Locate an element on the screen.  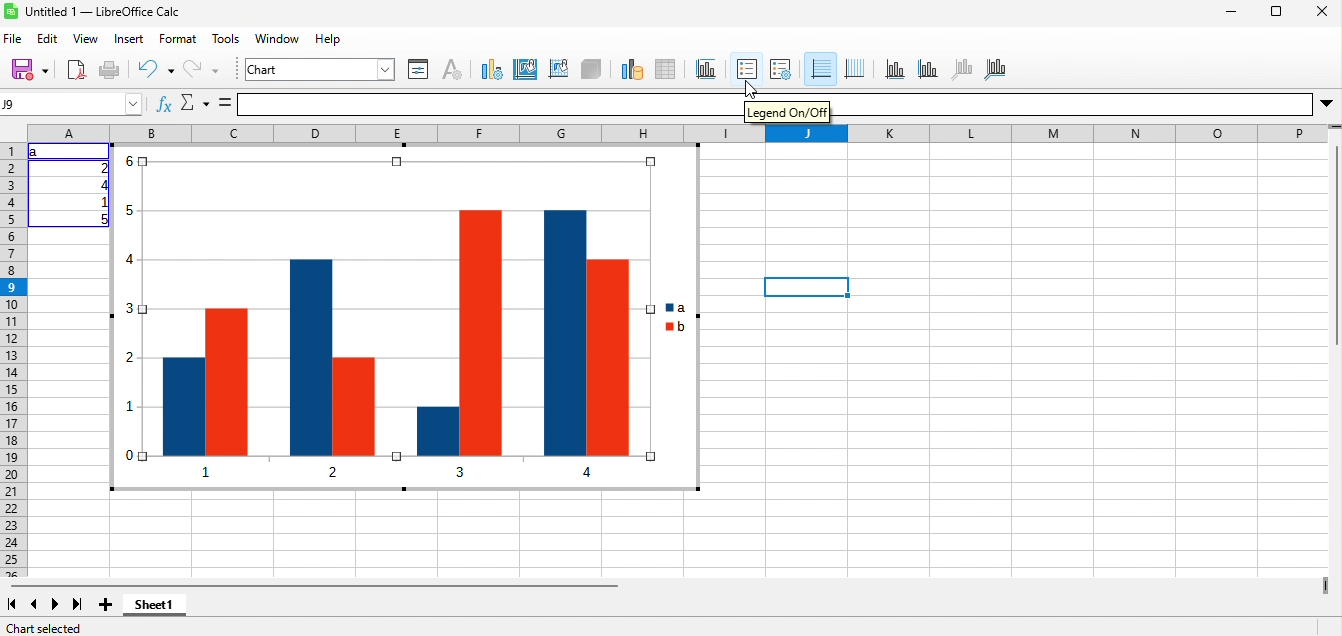
z axis is located at coordinates (963, 70).